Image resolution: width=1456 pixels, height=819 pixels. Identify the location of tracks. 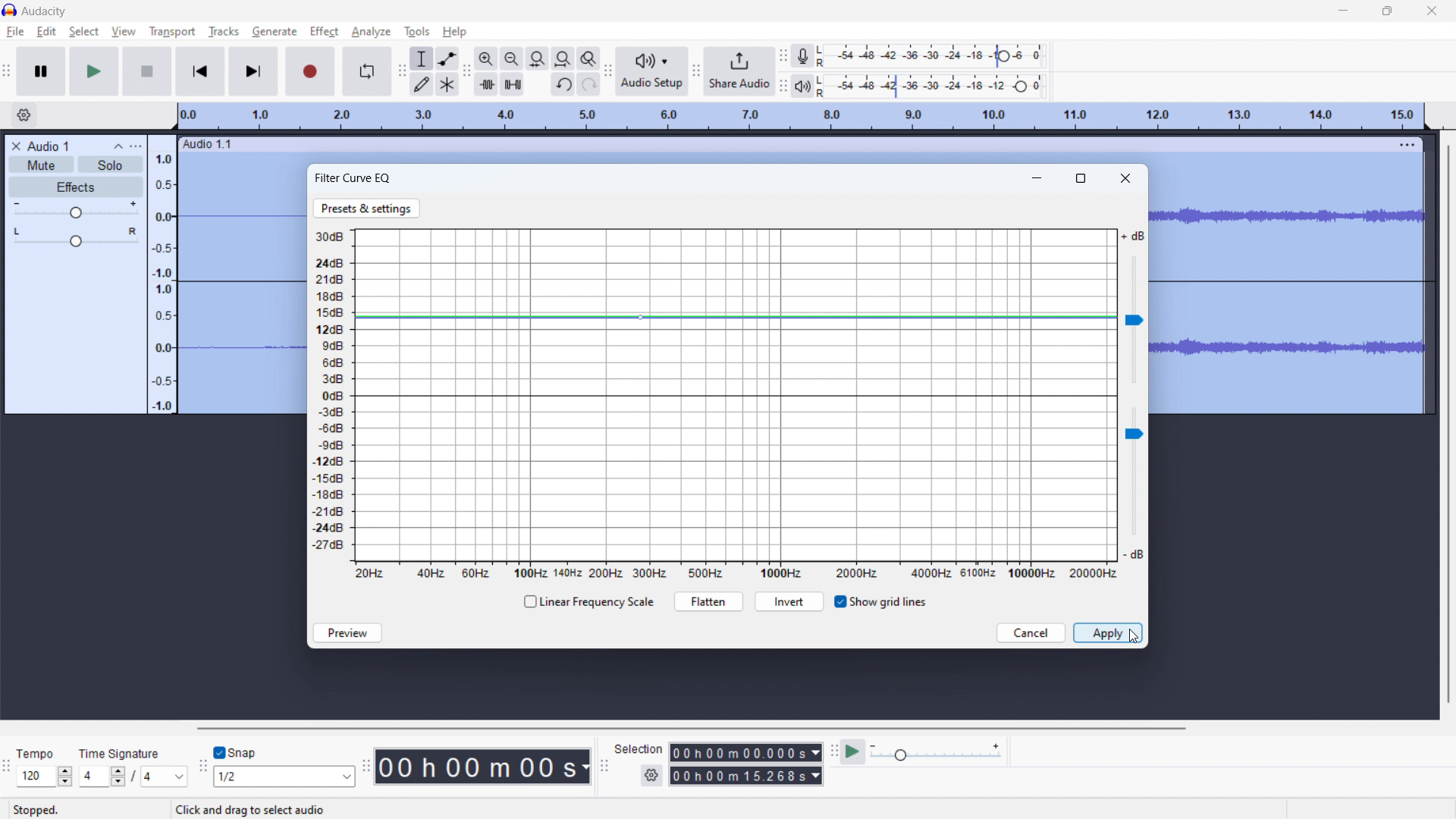
(224, 32).